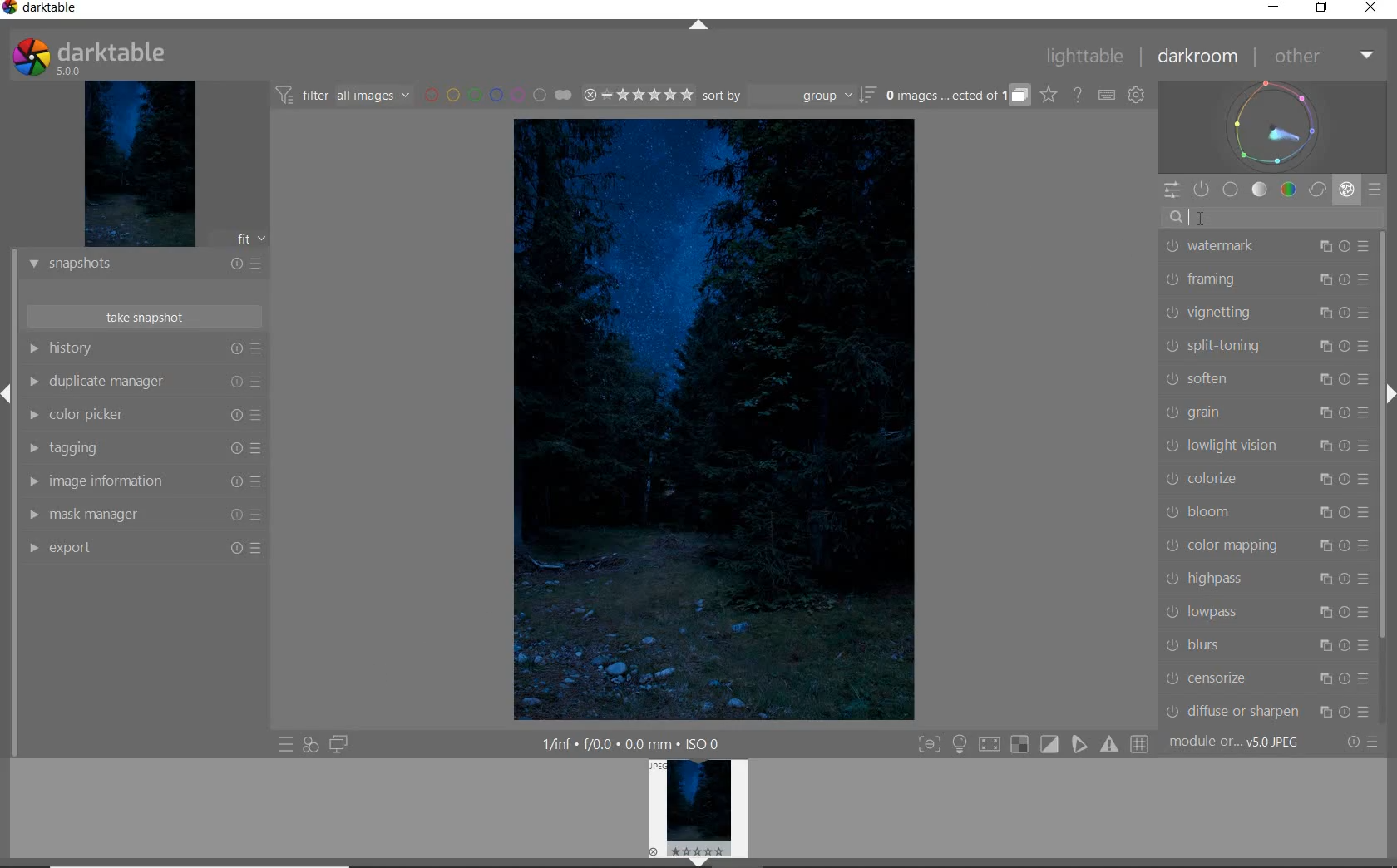  Describe the element at coordinates (1389, 523) in the screenshot. I see `Scrollbar` at that location.